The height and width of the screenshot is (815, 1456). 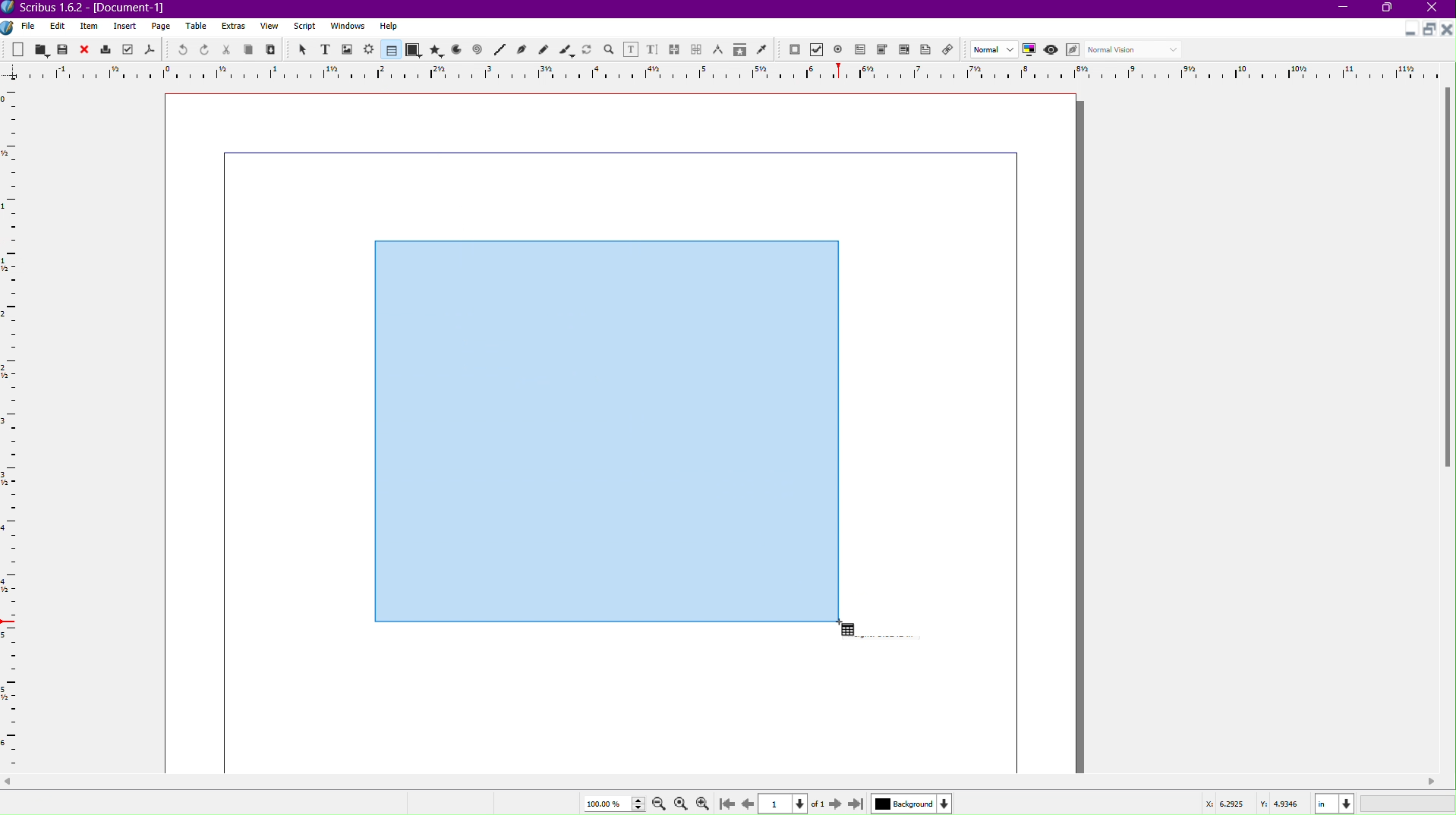 I want to click on Zoom to 100%, so click(x=680, y=801).